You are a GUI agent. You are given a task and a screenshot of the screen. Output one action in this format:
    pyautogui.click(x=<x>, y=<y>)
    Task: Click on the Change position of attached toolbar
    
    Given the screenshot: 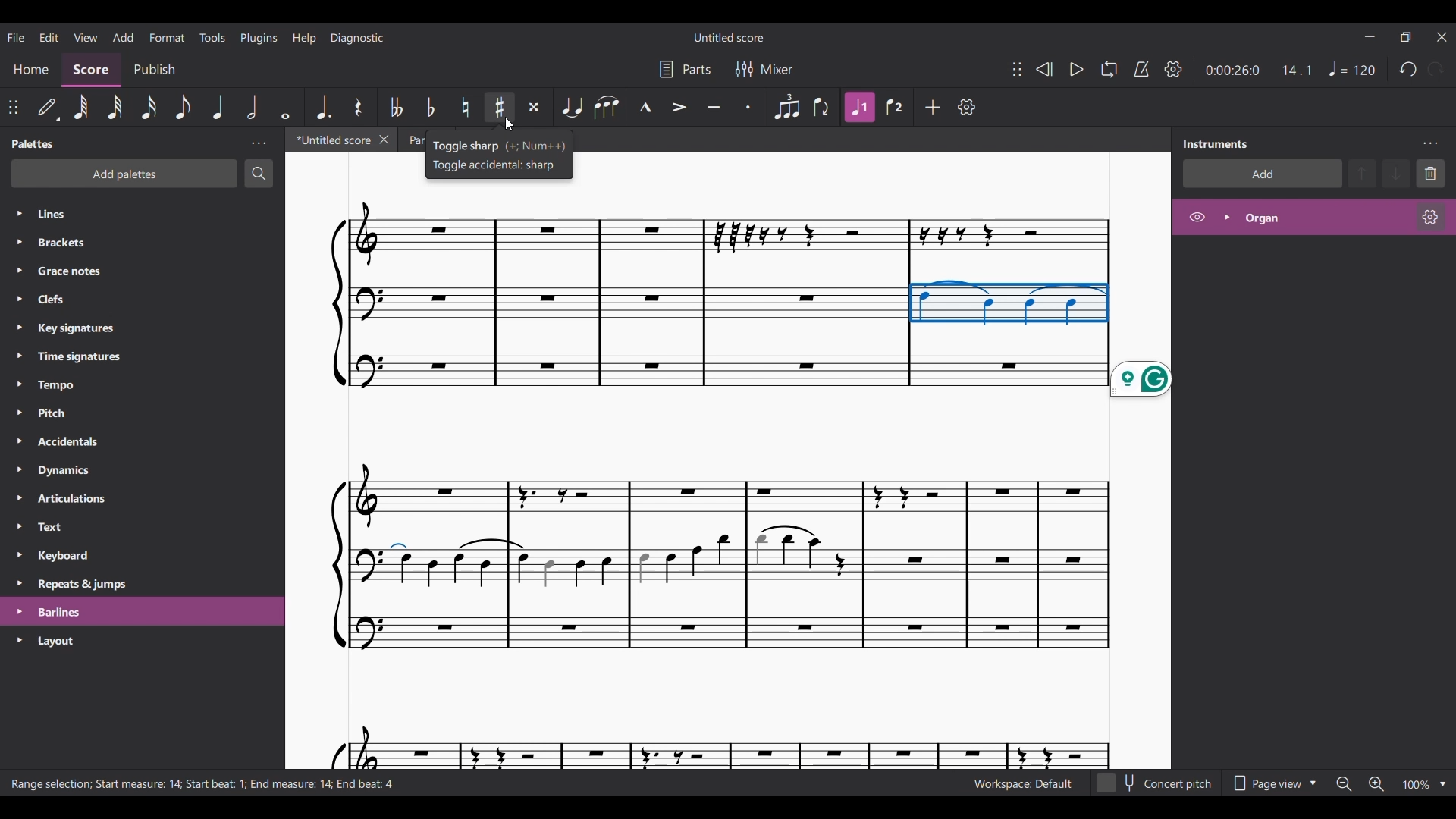 What is the action you would take?
    pyautogui.click(x=14, y=108)
    